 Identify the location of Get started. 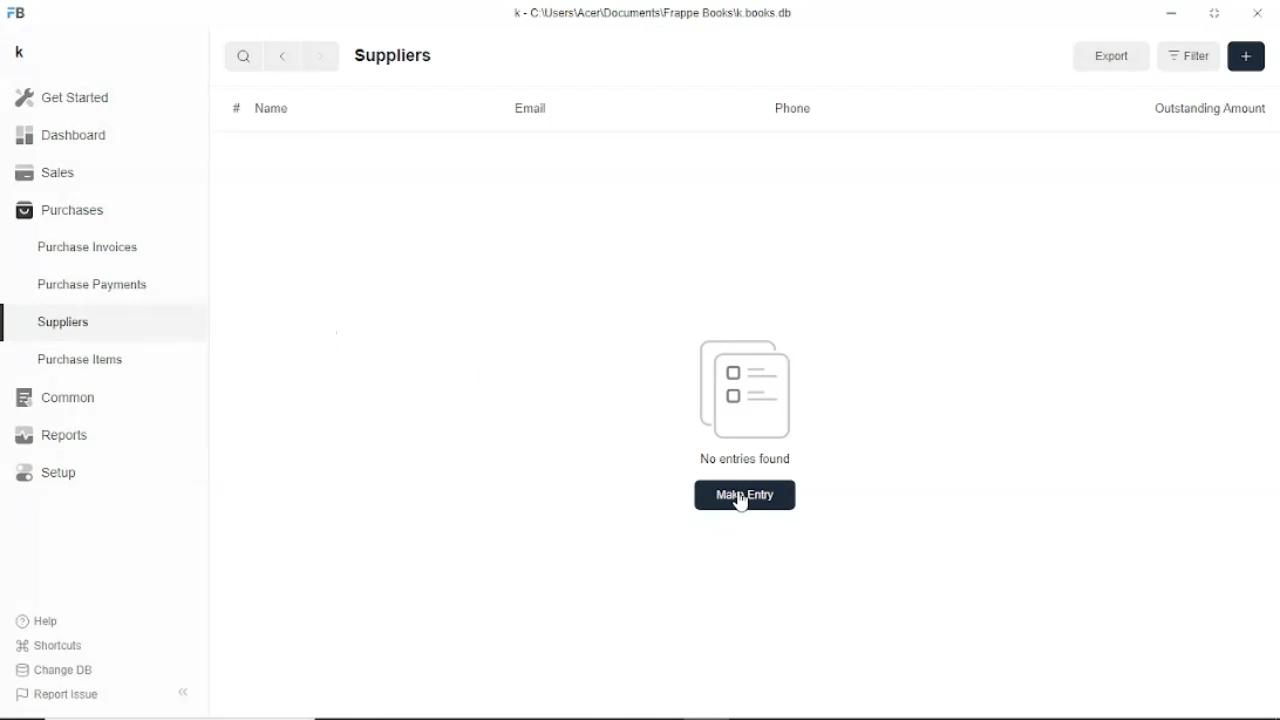
(63, 97).